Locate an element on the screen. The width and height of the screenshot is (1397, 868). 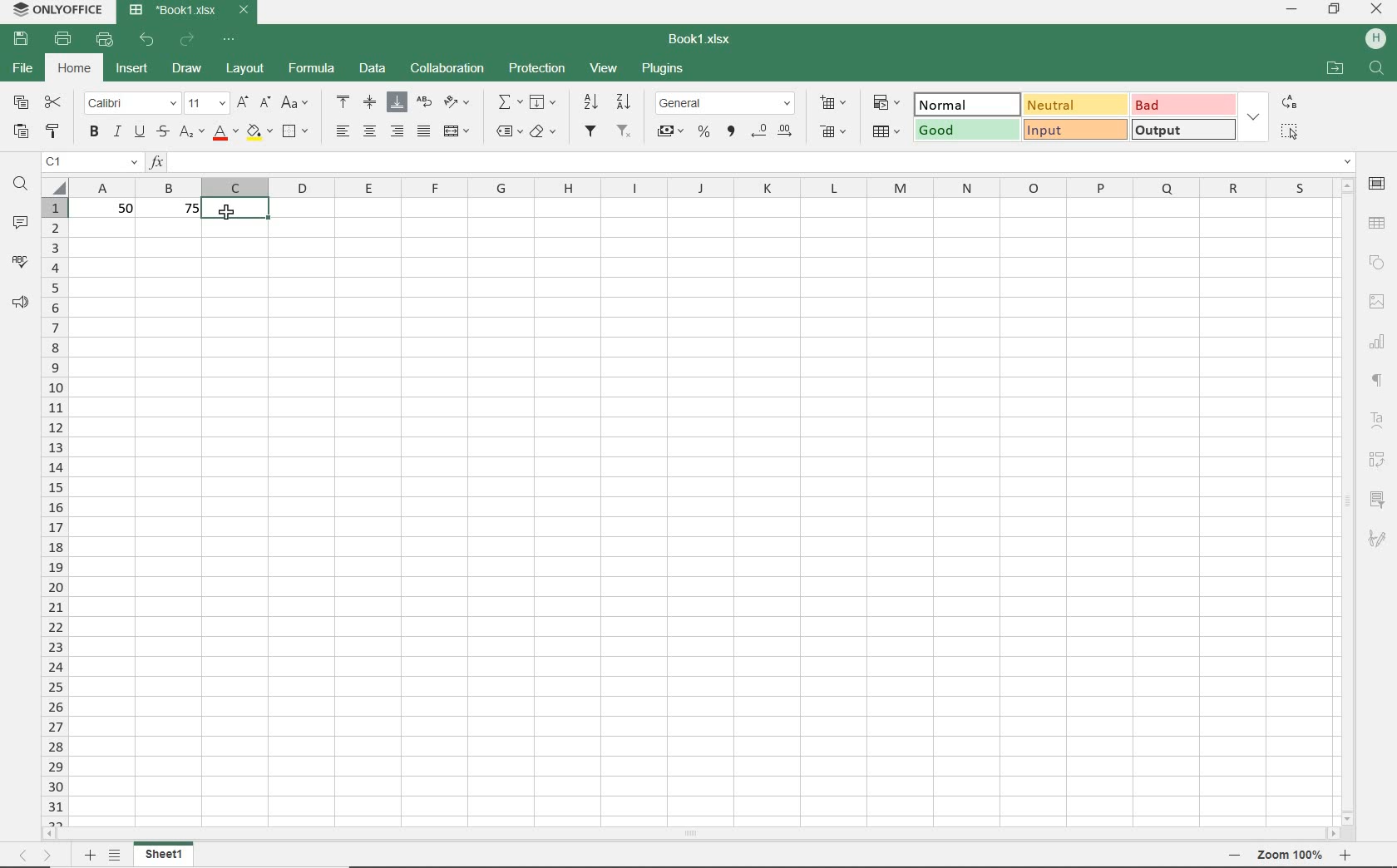
HP is located at coordinates (1375, 37).